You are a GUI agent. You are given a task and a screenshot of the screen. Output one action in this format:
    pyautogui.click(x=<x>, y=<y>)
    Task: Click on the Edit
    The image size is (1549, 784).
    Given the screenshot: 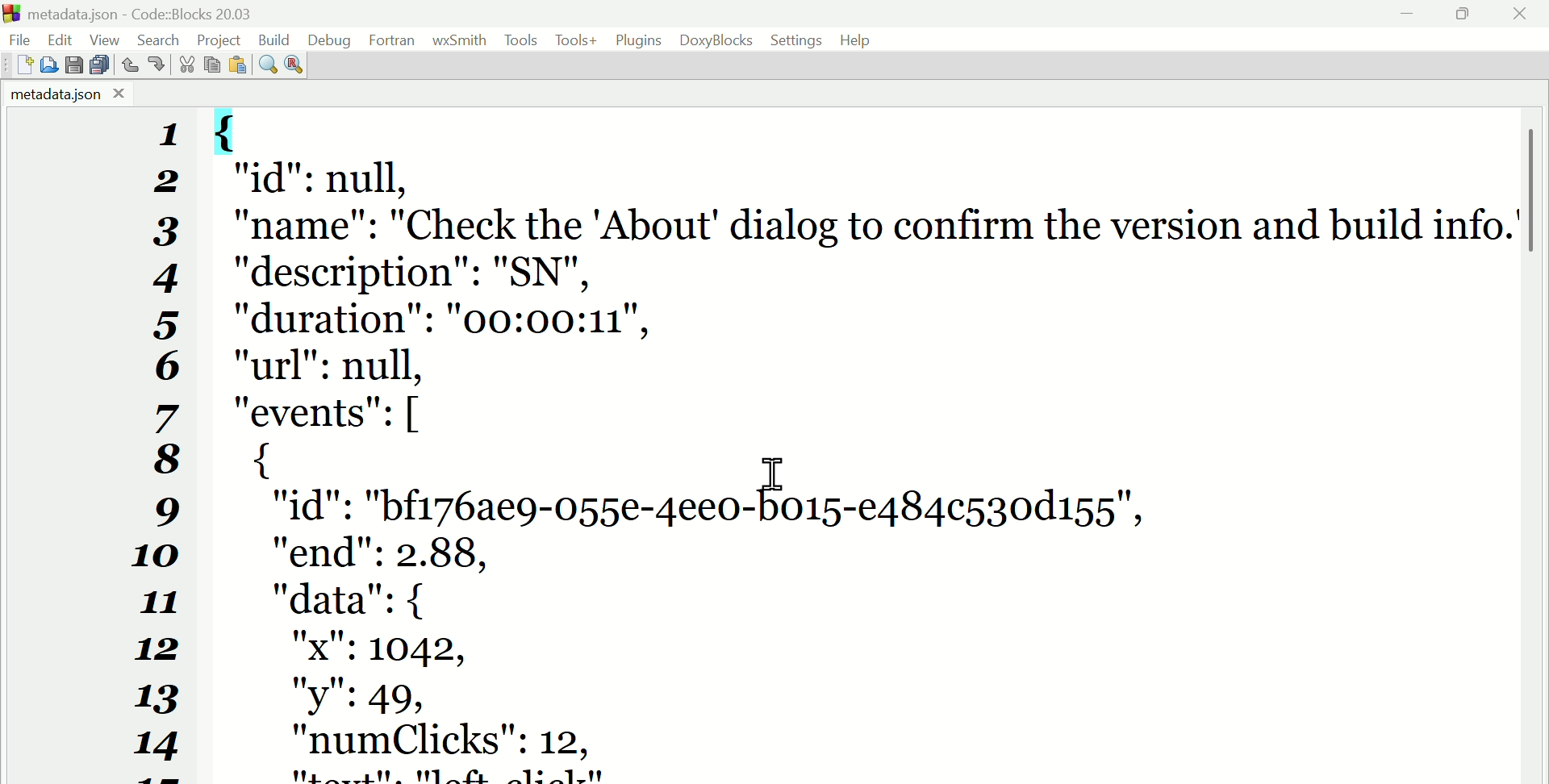 What is the action you would take?
    pyautogui.click(x=61, y=39)
    